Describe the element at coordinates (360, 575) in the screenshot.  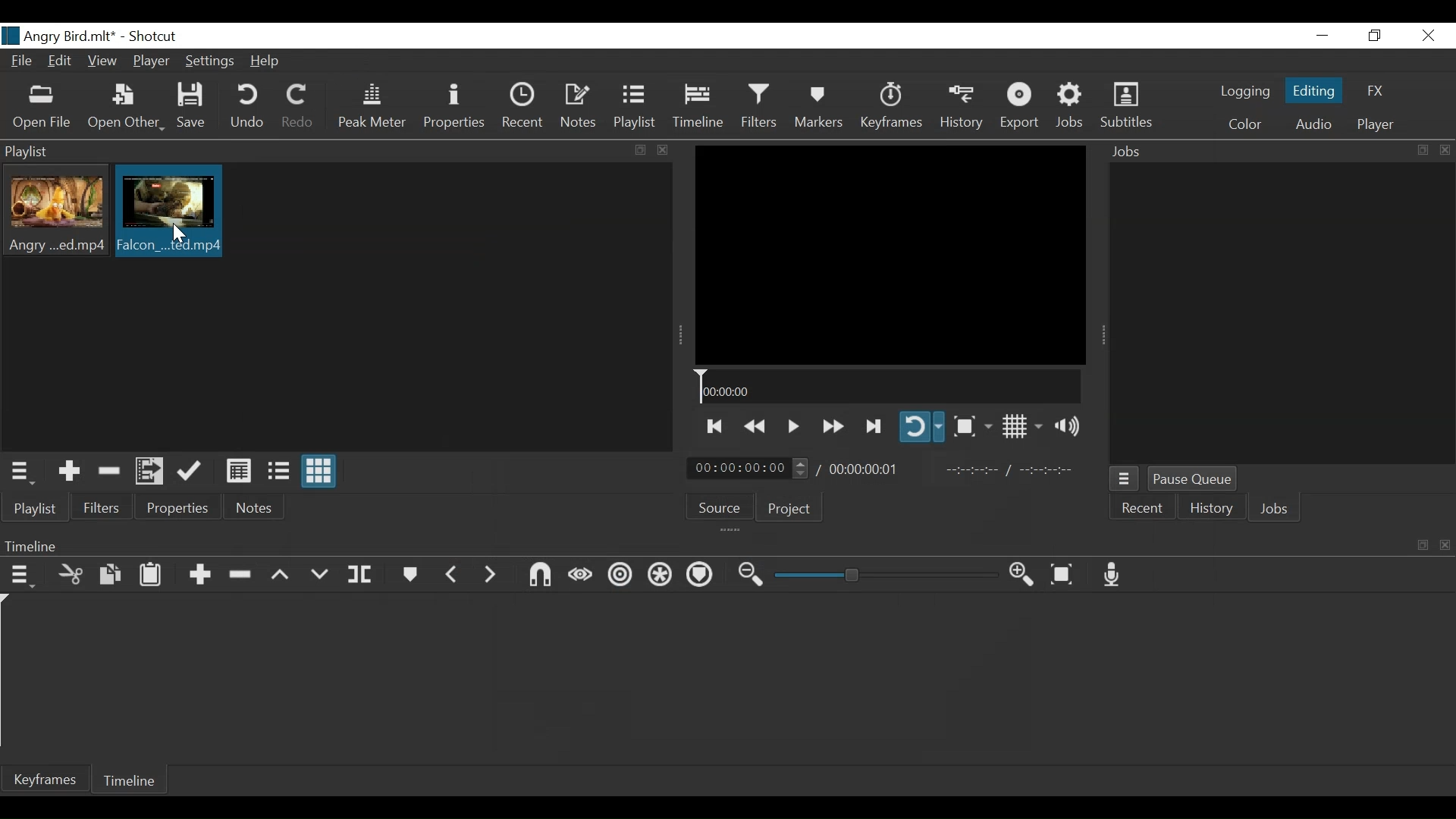
I see `Split at playhead` at that location.